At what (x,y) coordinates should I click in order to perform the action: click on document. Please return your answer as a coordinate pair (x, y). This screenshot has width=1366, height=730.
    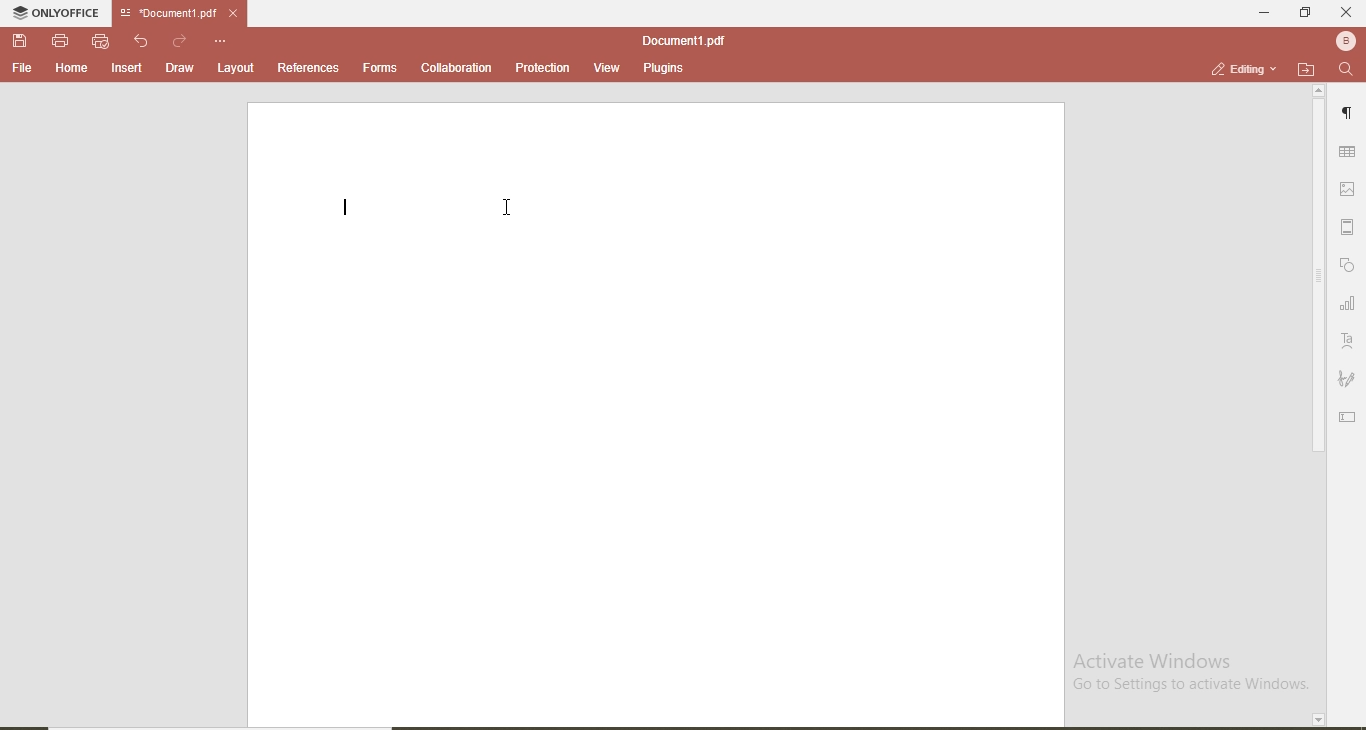
    Looking at the image, I should click on (655, 416).